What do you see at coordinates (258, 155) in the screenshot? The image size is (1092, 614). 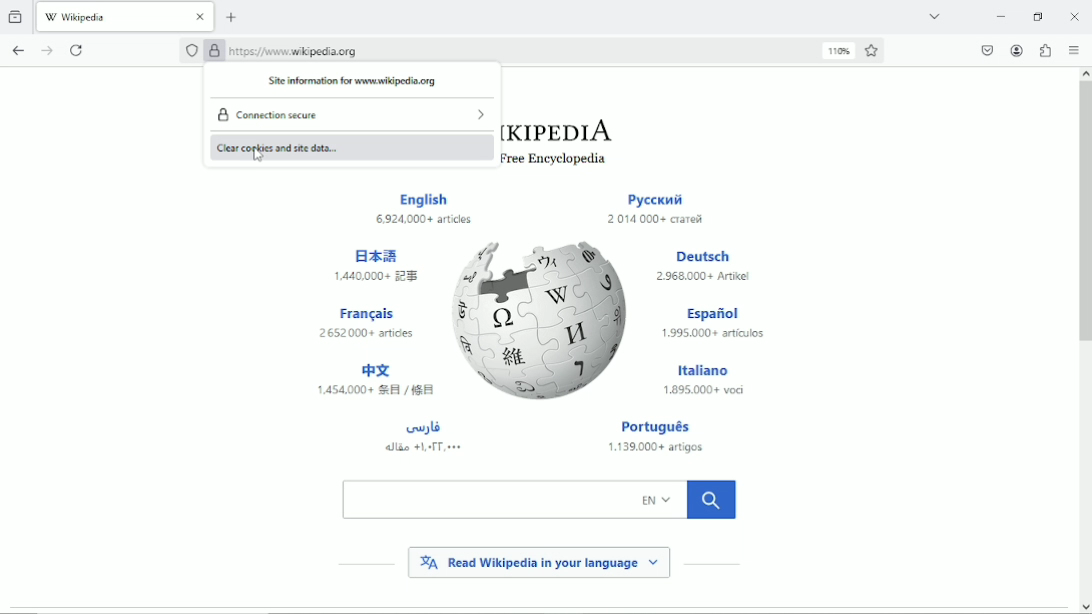 I see `cursor` at bounding box center [258, 155].